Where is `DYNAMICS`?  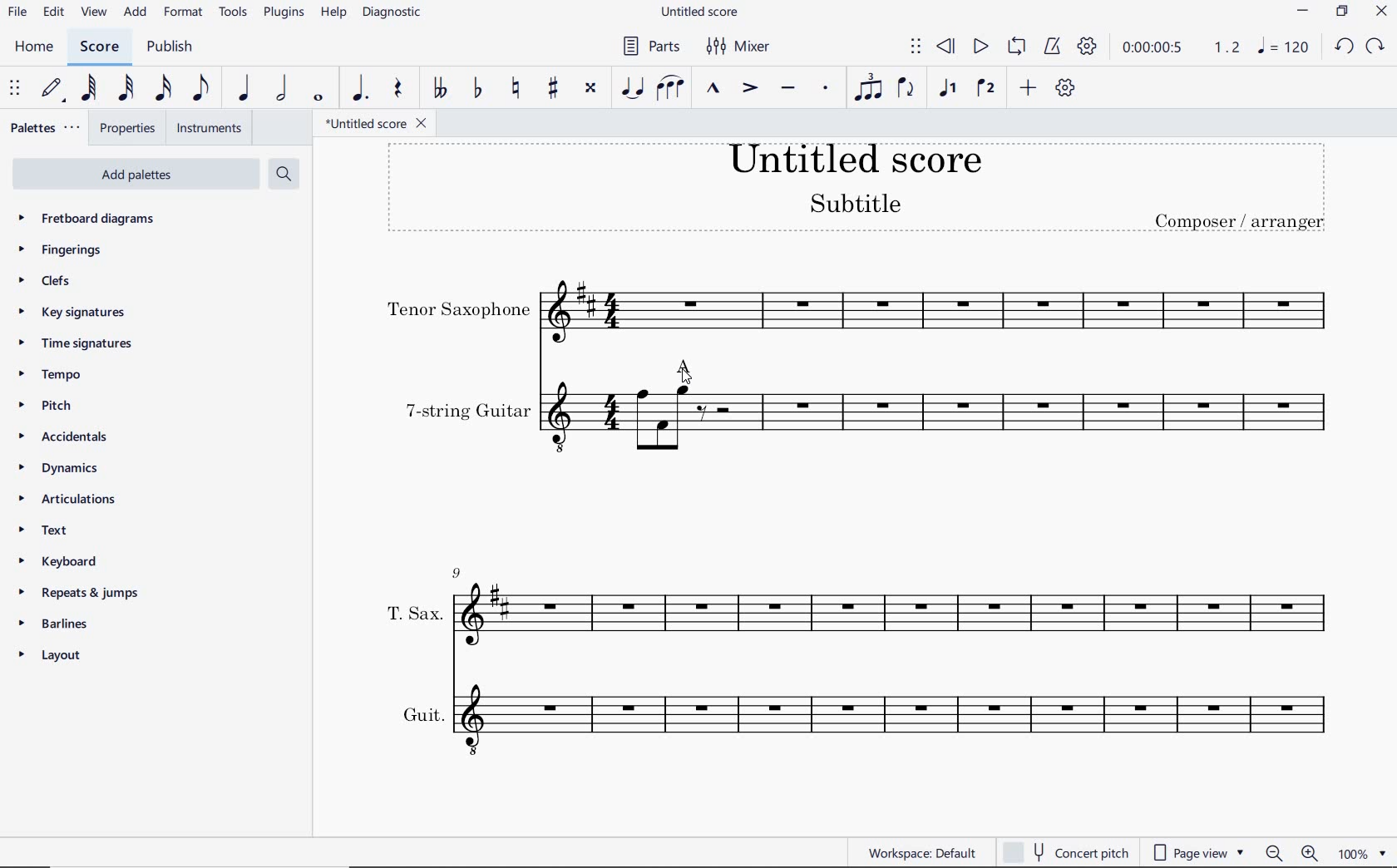 DYNAMICS is located at coordinates (73, 467).